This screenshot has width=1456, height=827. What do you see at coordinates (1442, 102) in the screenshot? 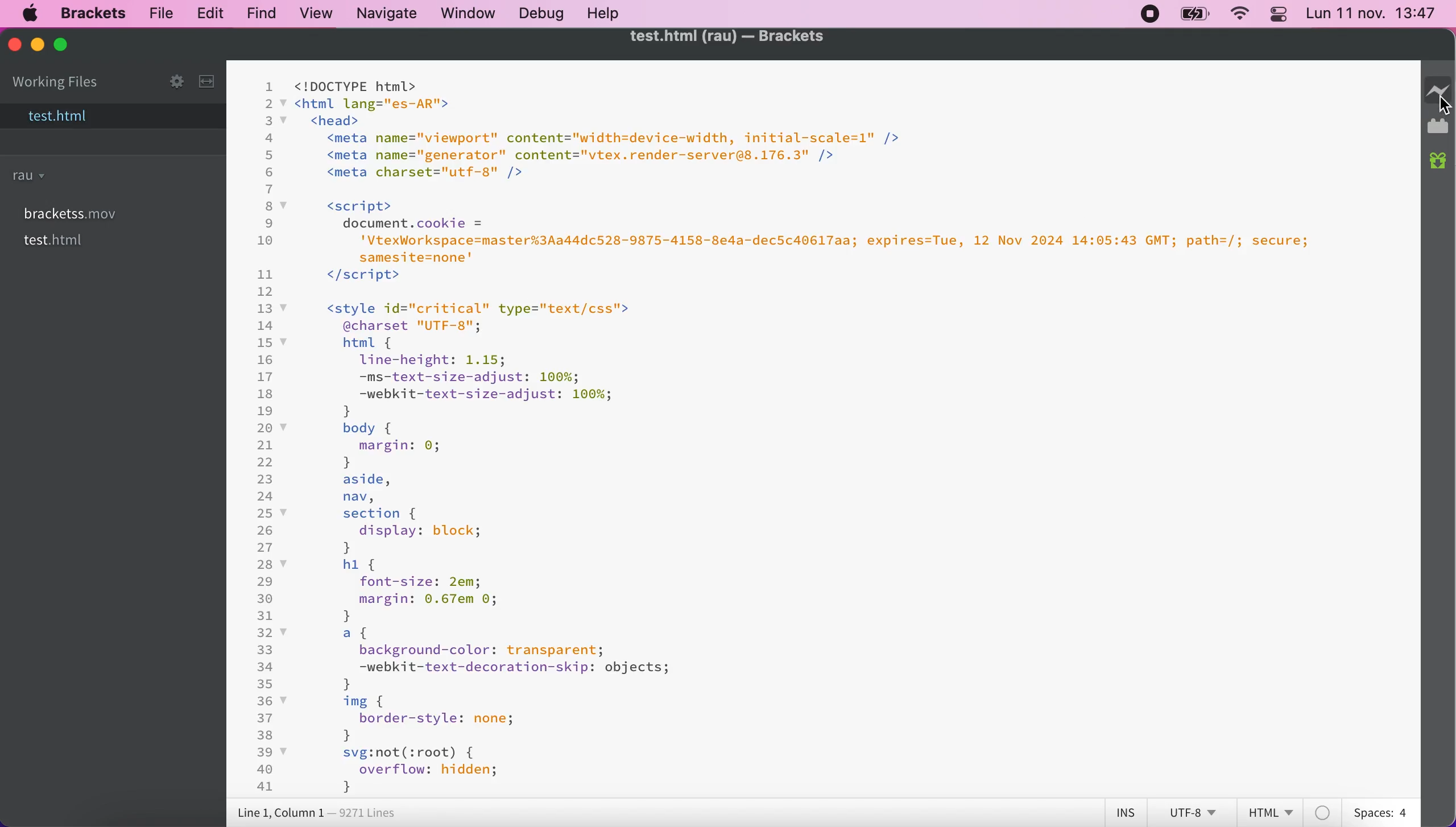
I see `cursor` at bounding box center [1442, 102].